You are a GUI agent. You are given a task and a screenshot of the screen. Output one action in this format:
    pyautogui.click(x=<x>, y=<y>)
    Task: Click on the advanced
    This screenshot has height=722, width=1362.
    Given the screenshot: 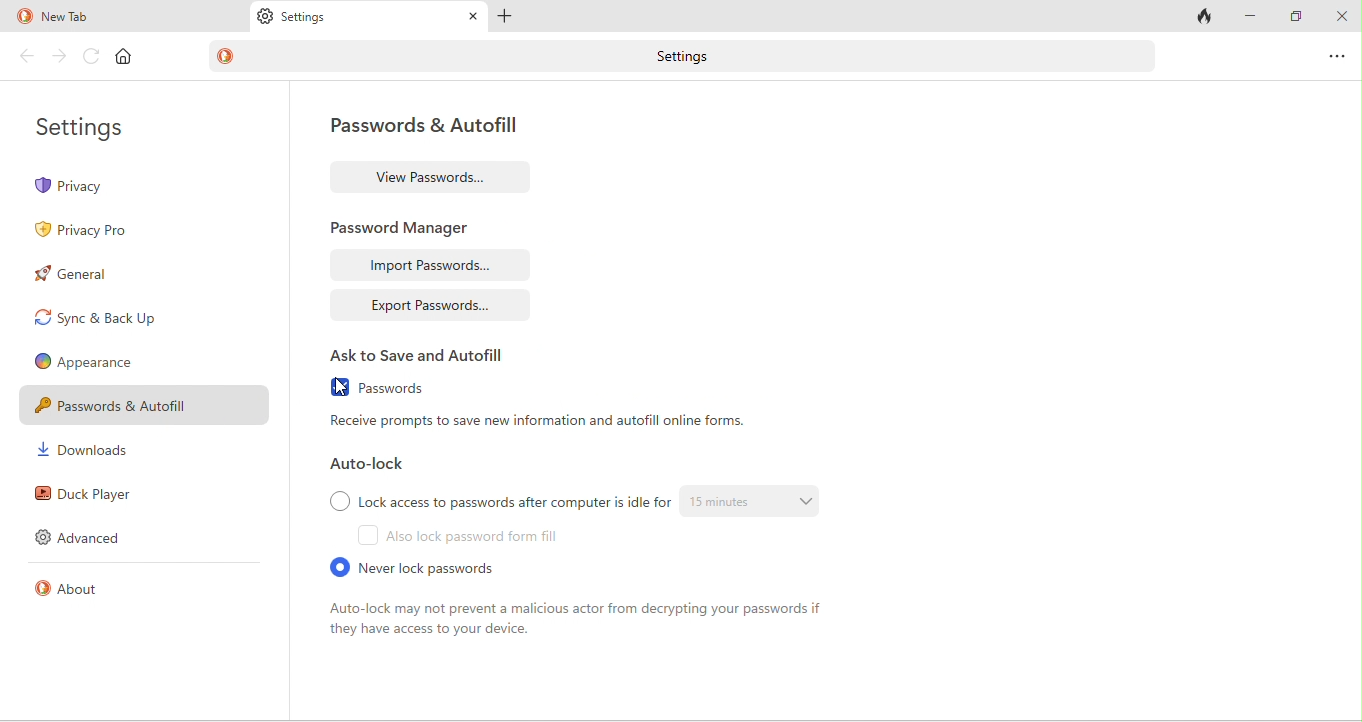 What is the action you would take?
    pyautogui.click(x=88, y=540)
    